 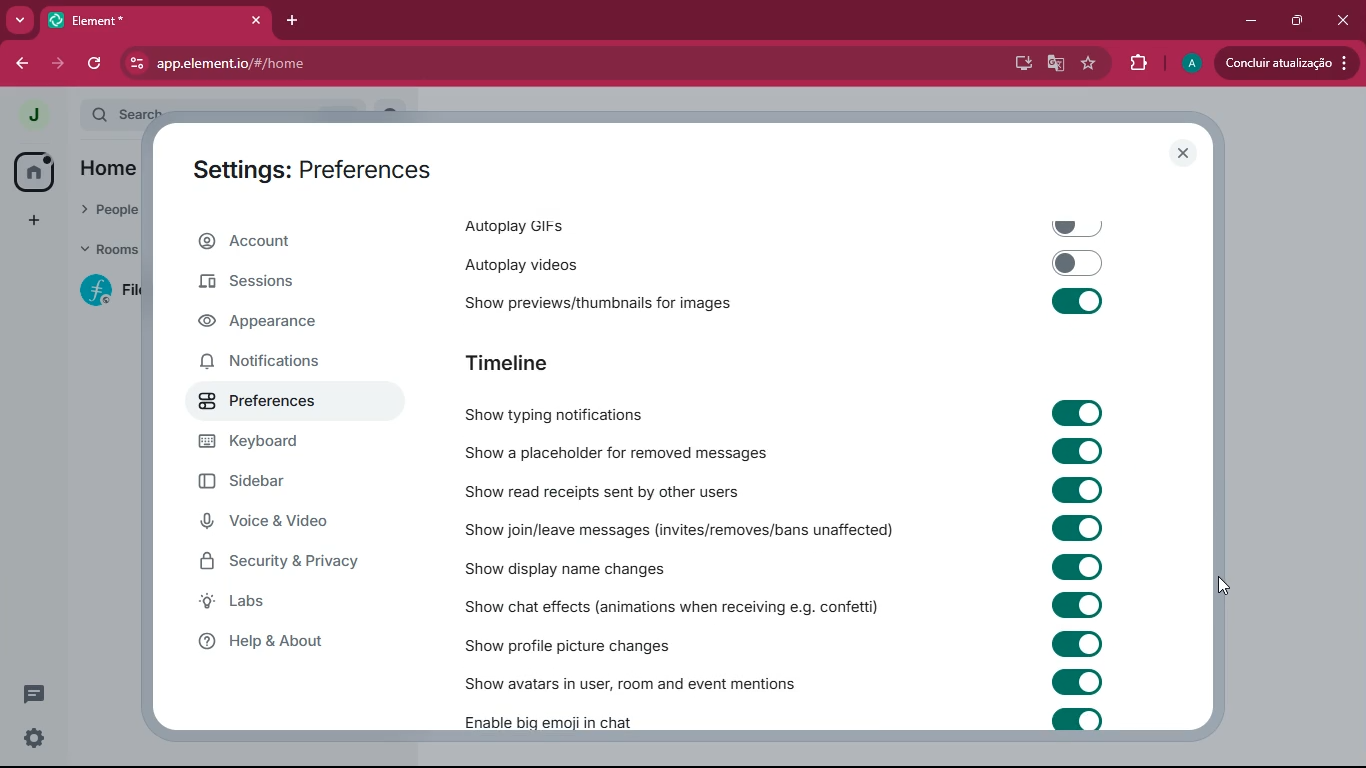 What do you see at coordinates (296, 244) in the screenshot?
I see `account` at bounding box center [296, 244].